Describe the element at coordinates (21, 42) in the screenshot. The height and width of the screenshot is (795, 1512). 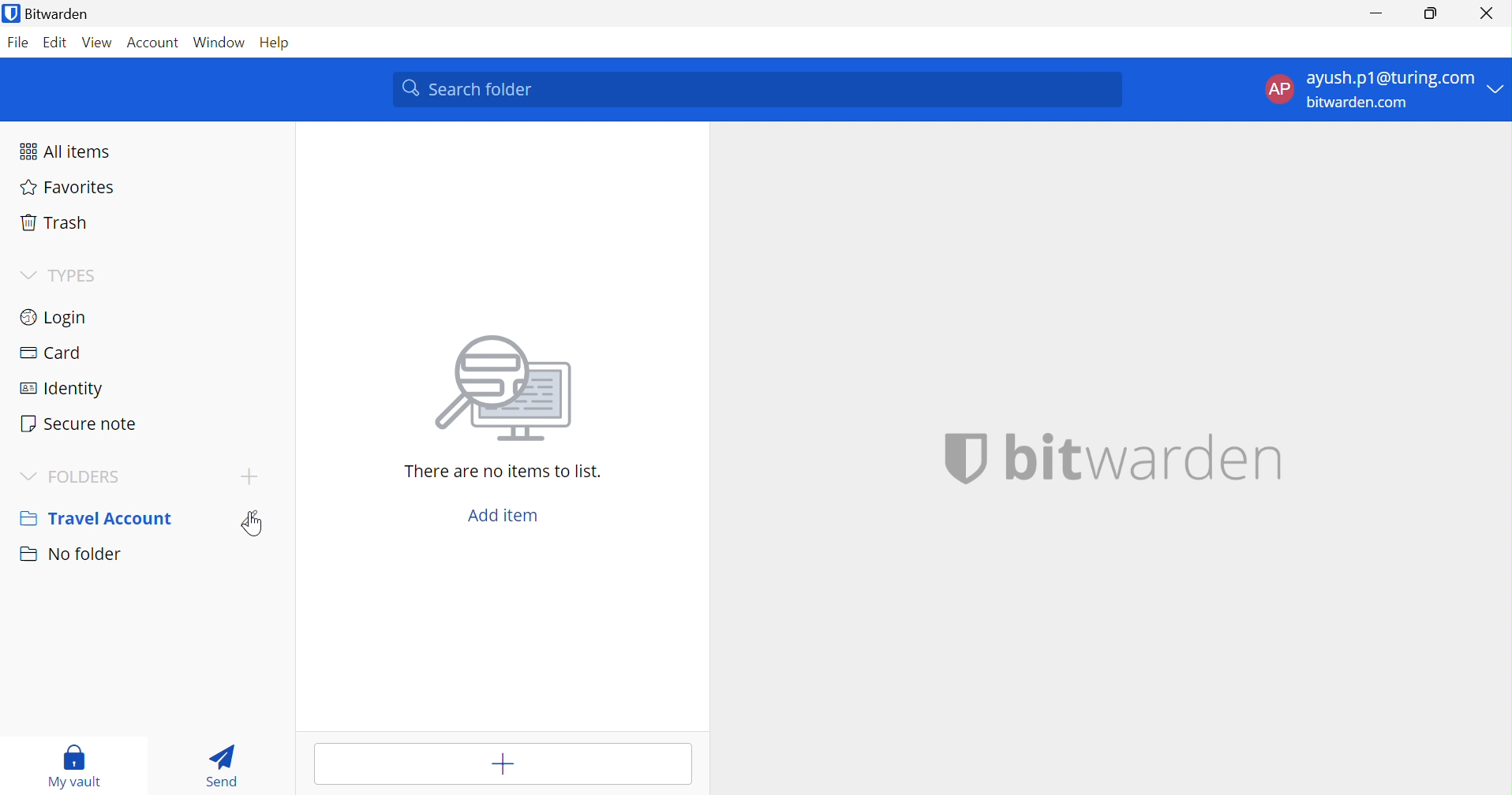
I see `File` at that location.